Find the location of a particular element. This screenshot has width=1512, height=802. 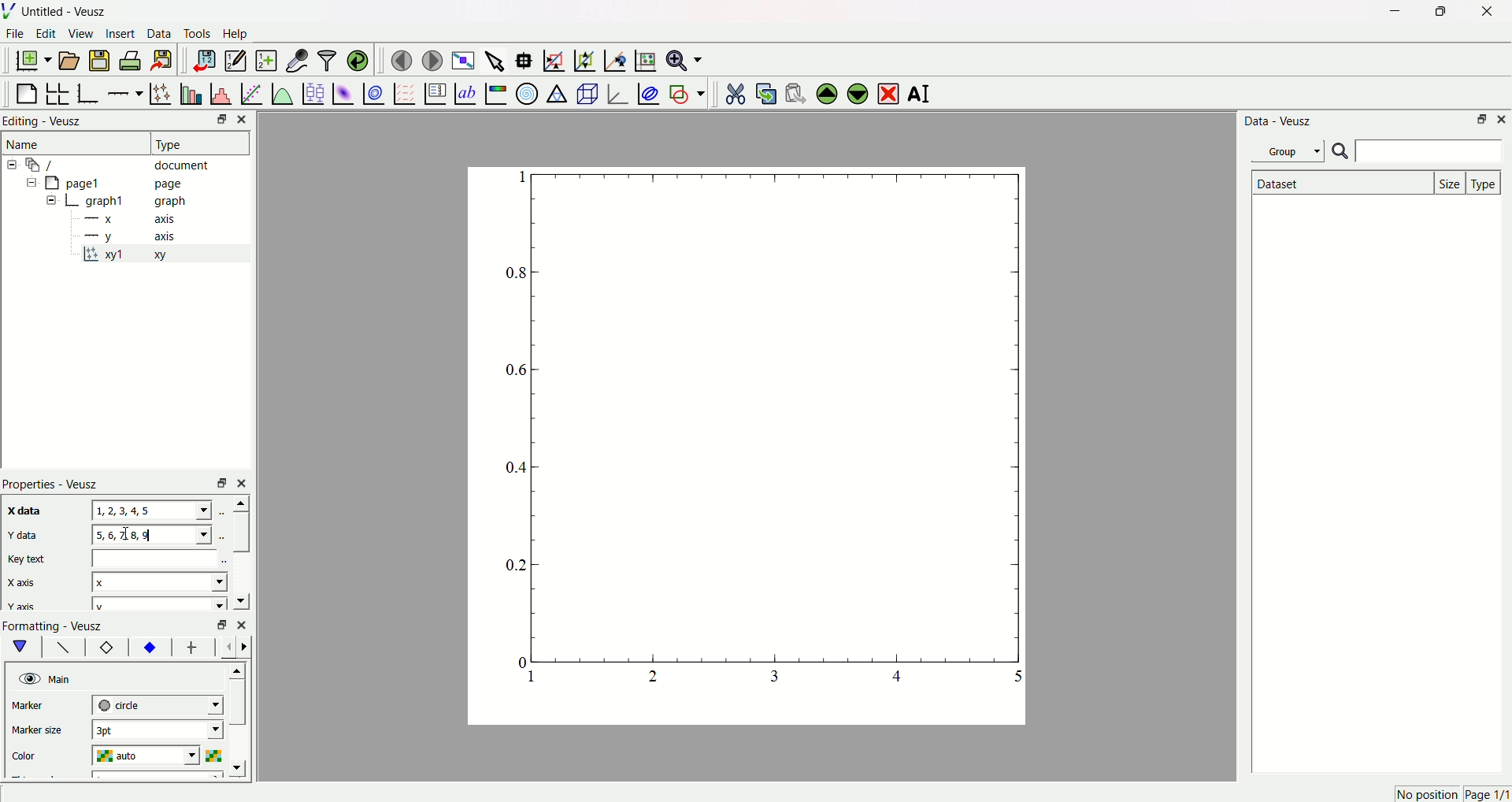

base graphs is located at coordinates (90, 91).